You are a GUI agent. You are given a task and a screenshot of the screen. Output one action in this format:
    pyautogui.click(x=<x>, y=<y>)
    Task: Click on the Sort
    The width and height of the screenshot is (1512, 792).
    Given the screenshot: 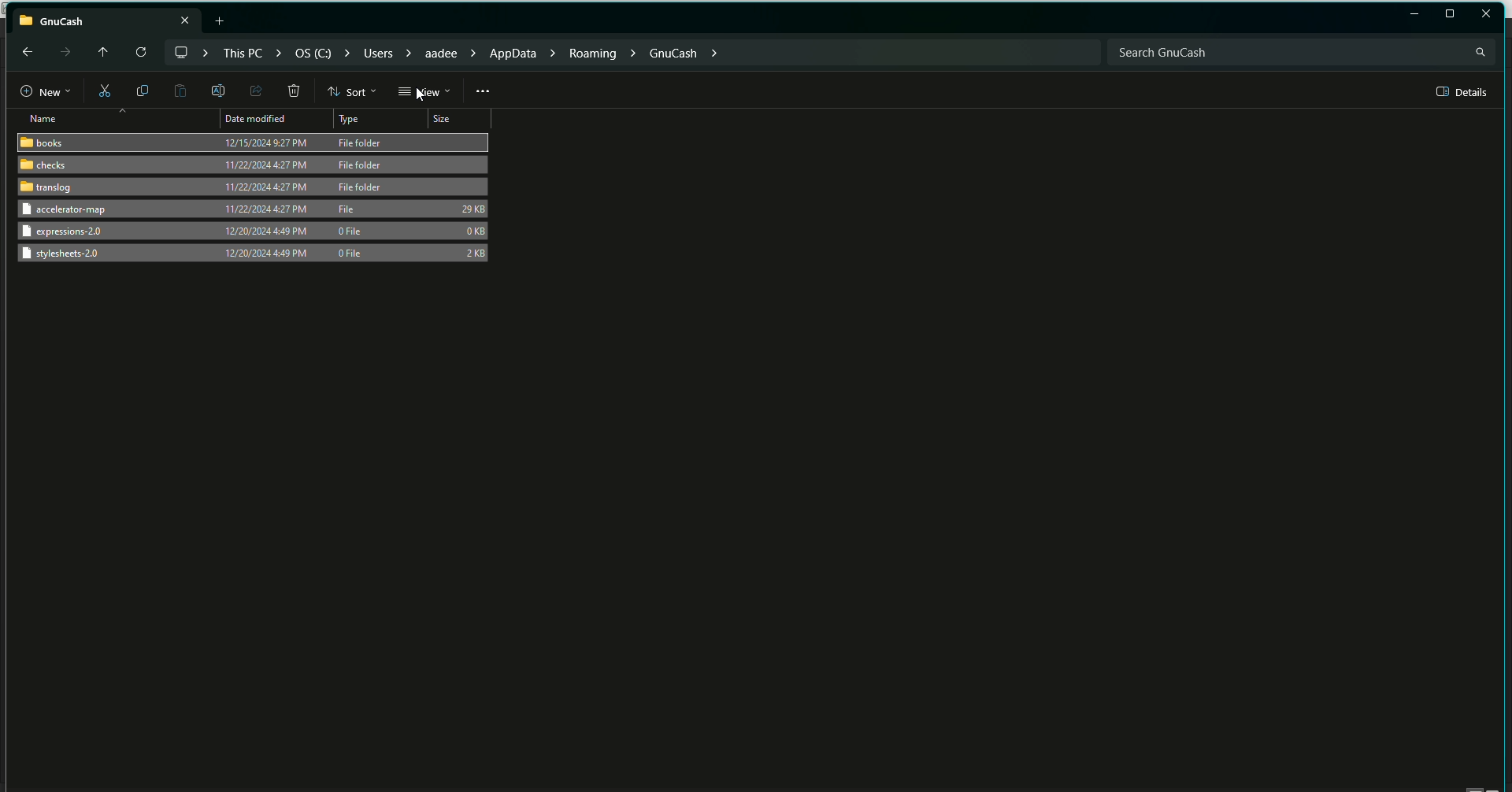 What is the action you would take?
    pyautogui.click(x=353, y=91)
    